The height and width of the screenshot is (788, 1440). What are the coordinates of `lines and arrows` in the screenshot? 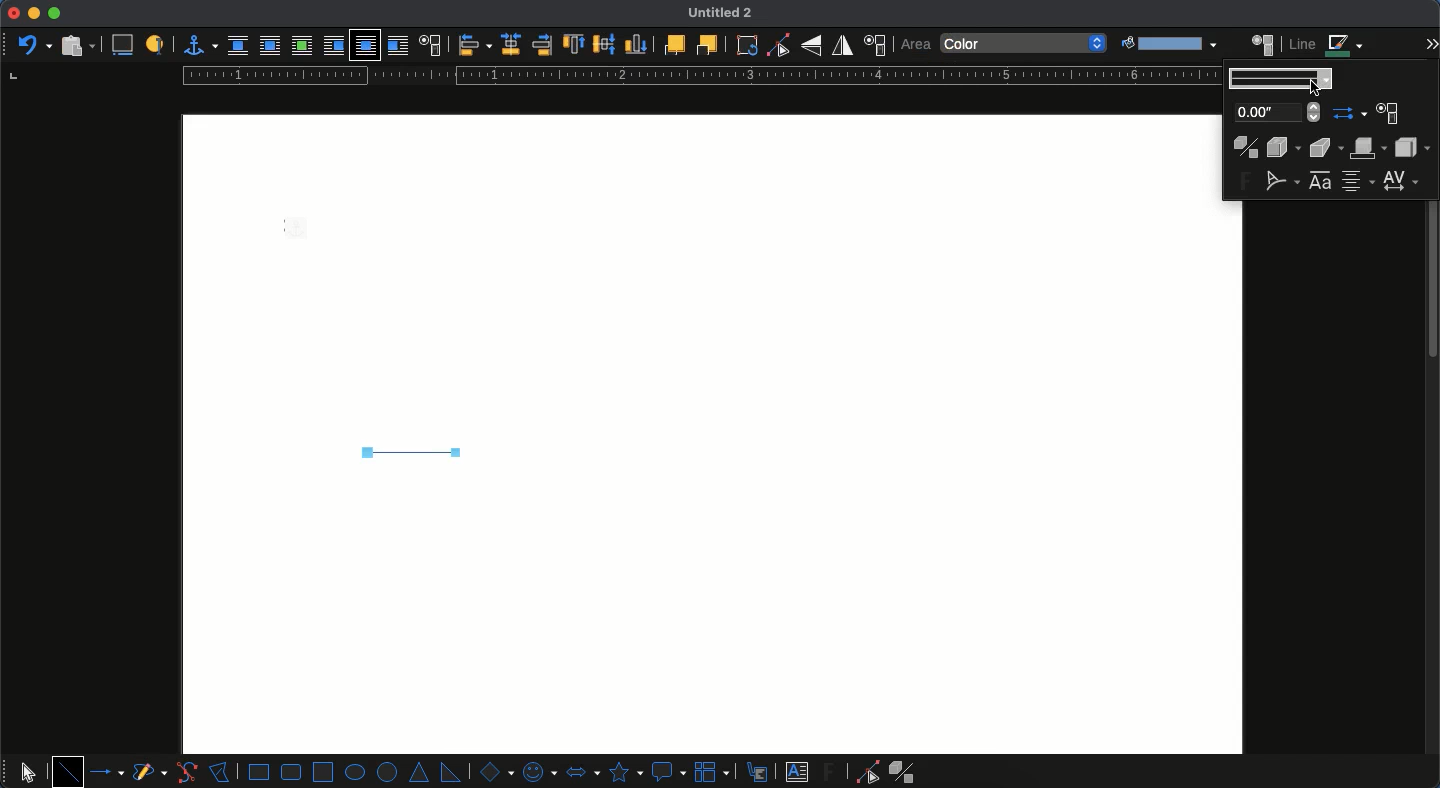 It's located at (109, 772).